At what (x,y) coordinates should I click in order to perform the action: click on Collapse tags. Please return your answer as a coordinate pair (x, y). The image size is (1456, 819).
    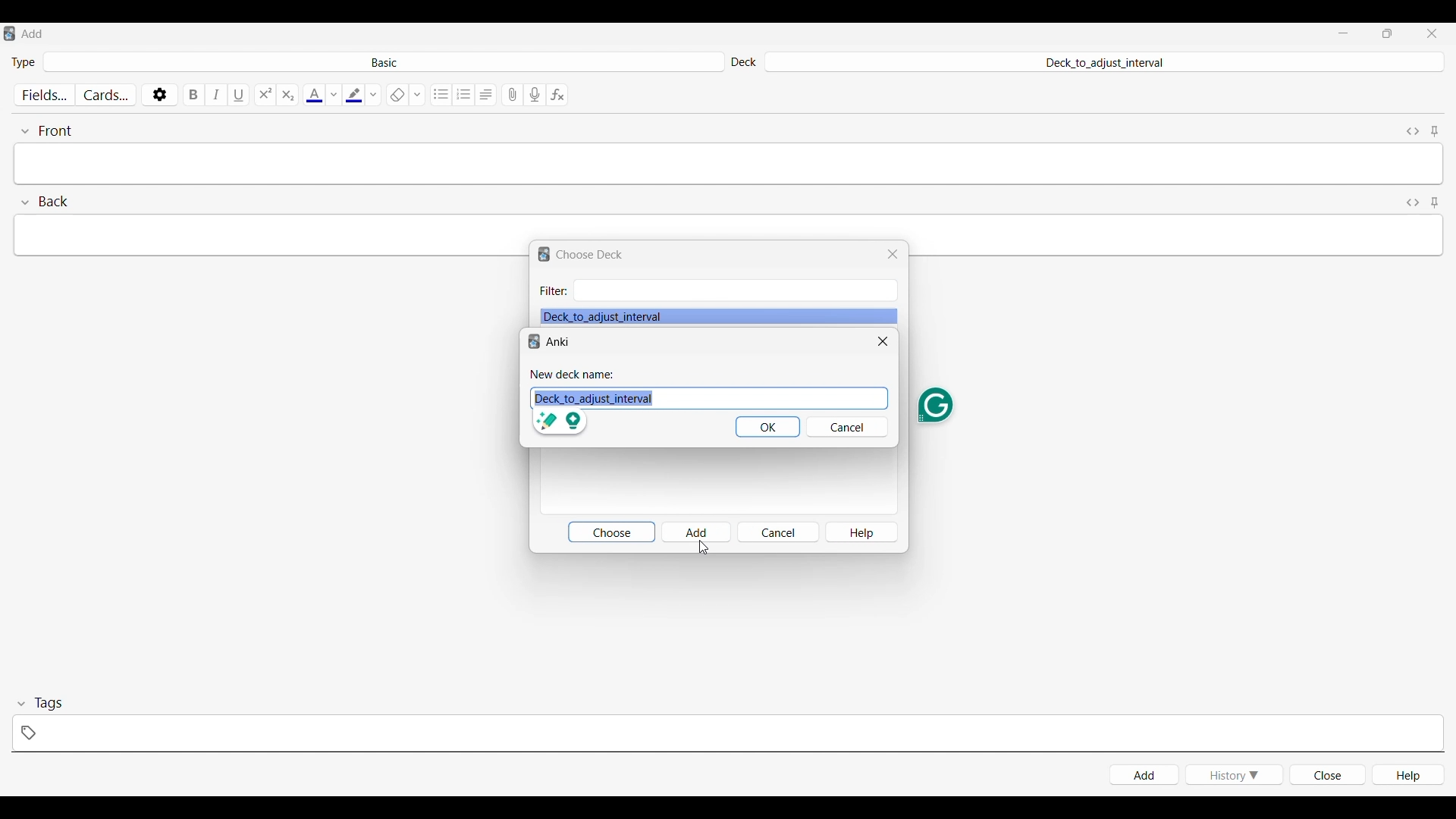
    Looking at the image, I should click on (40, 704).